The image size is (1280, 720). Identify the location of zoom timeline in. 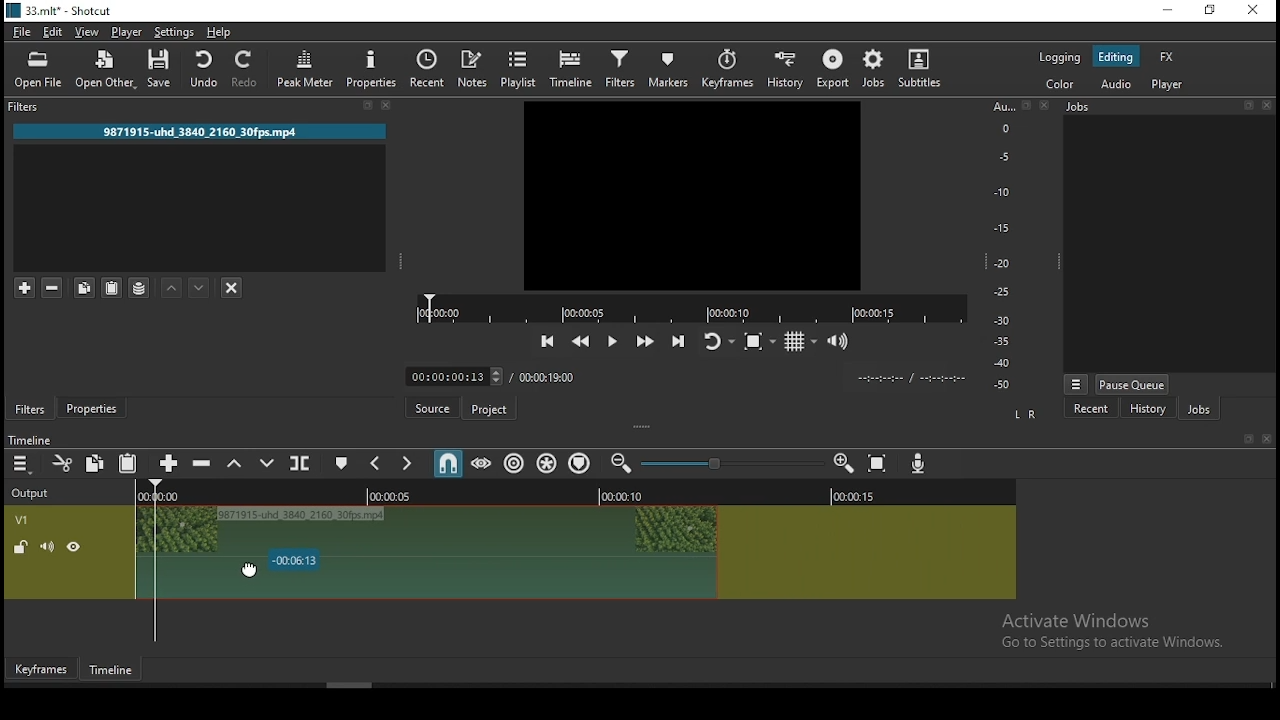
(845, 466).